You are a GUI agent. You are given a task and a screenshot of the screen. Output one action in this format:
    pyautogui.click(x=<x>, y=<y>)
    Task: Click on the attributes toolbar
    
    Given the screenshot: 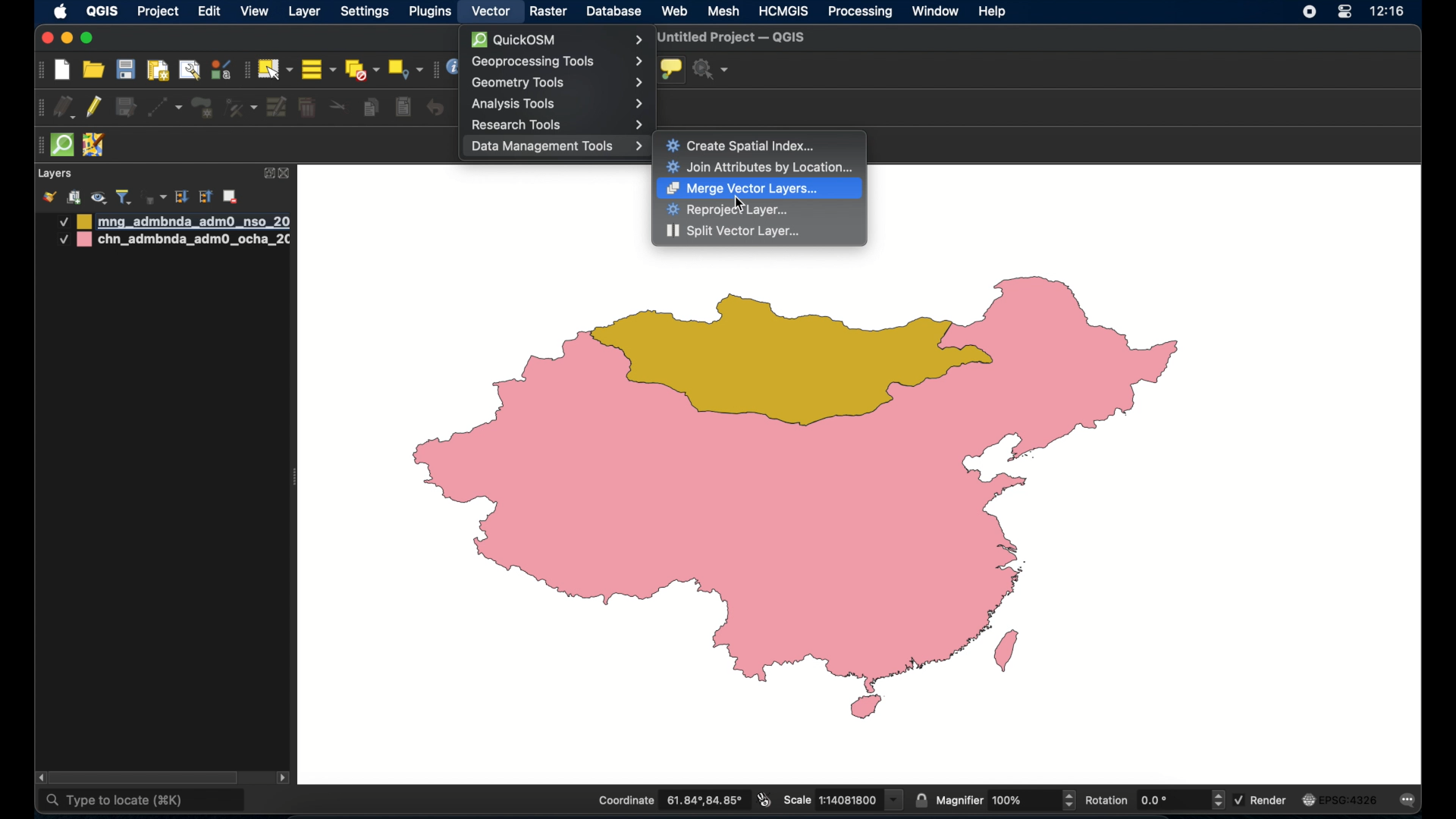 What is the action you would take?
    pyautogui.click(x=433, y=70)
    